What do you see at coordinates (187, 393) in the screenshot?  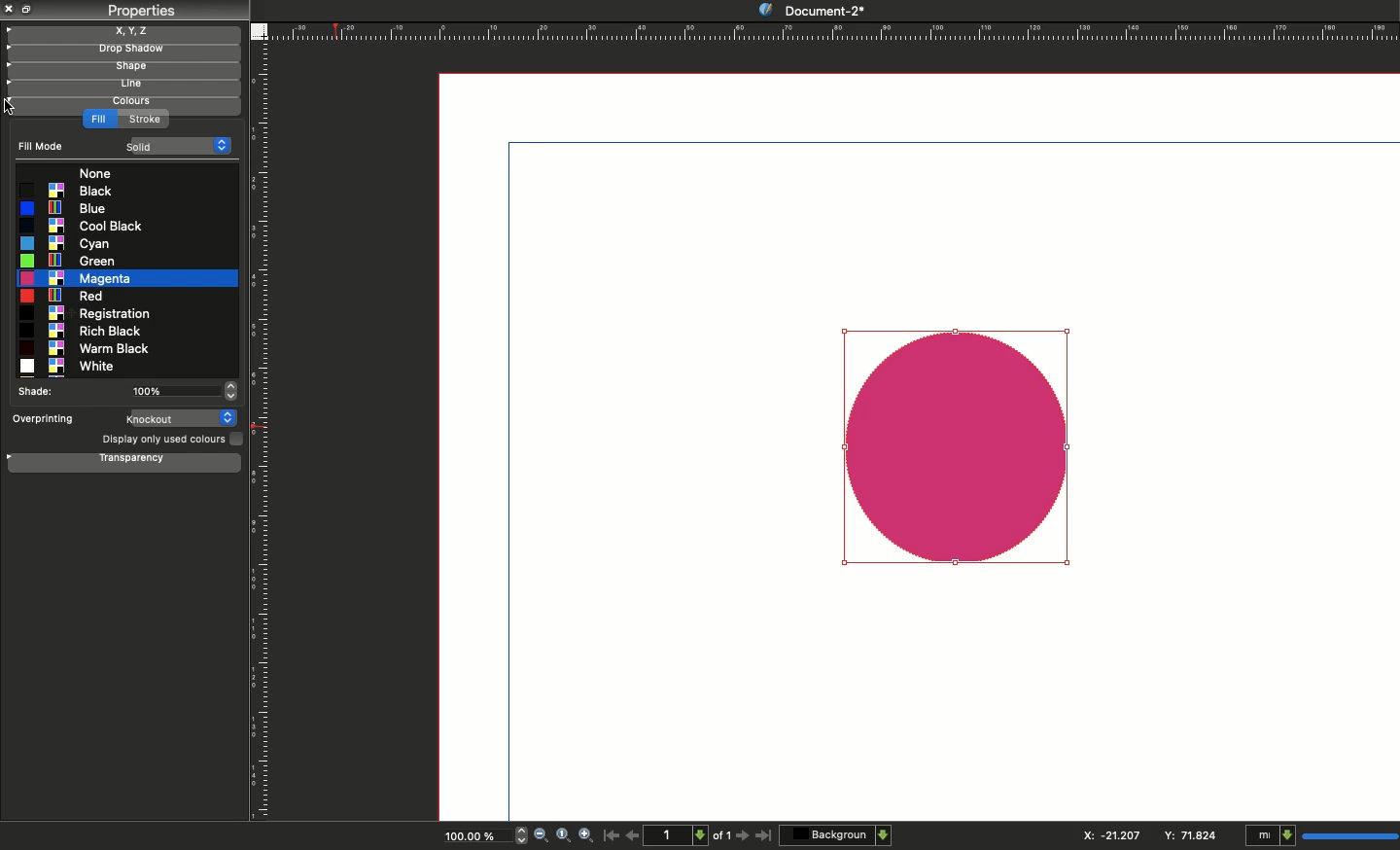 I see `100%` at bounding box center [187, 393].